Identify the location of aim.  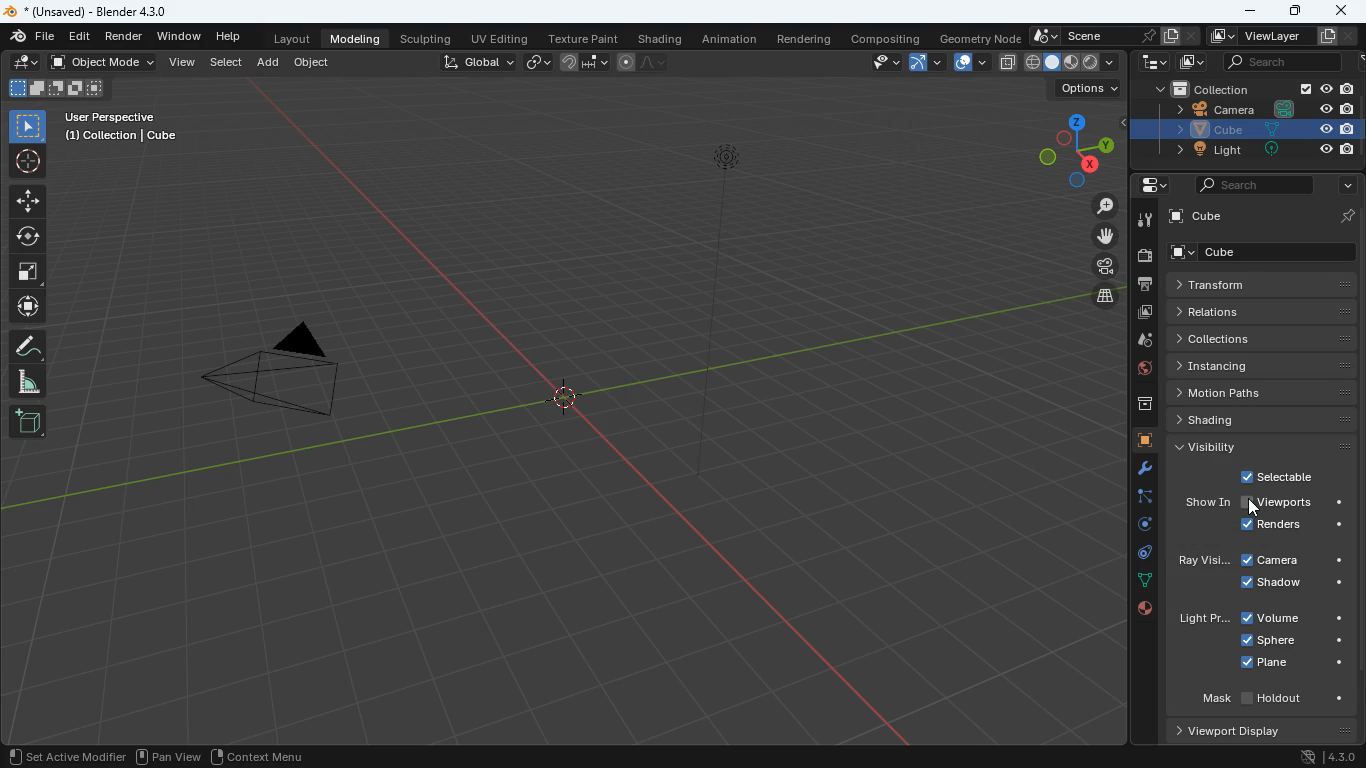
(28, 163).